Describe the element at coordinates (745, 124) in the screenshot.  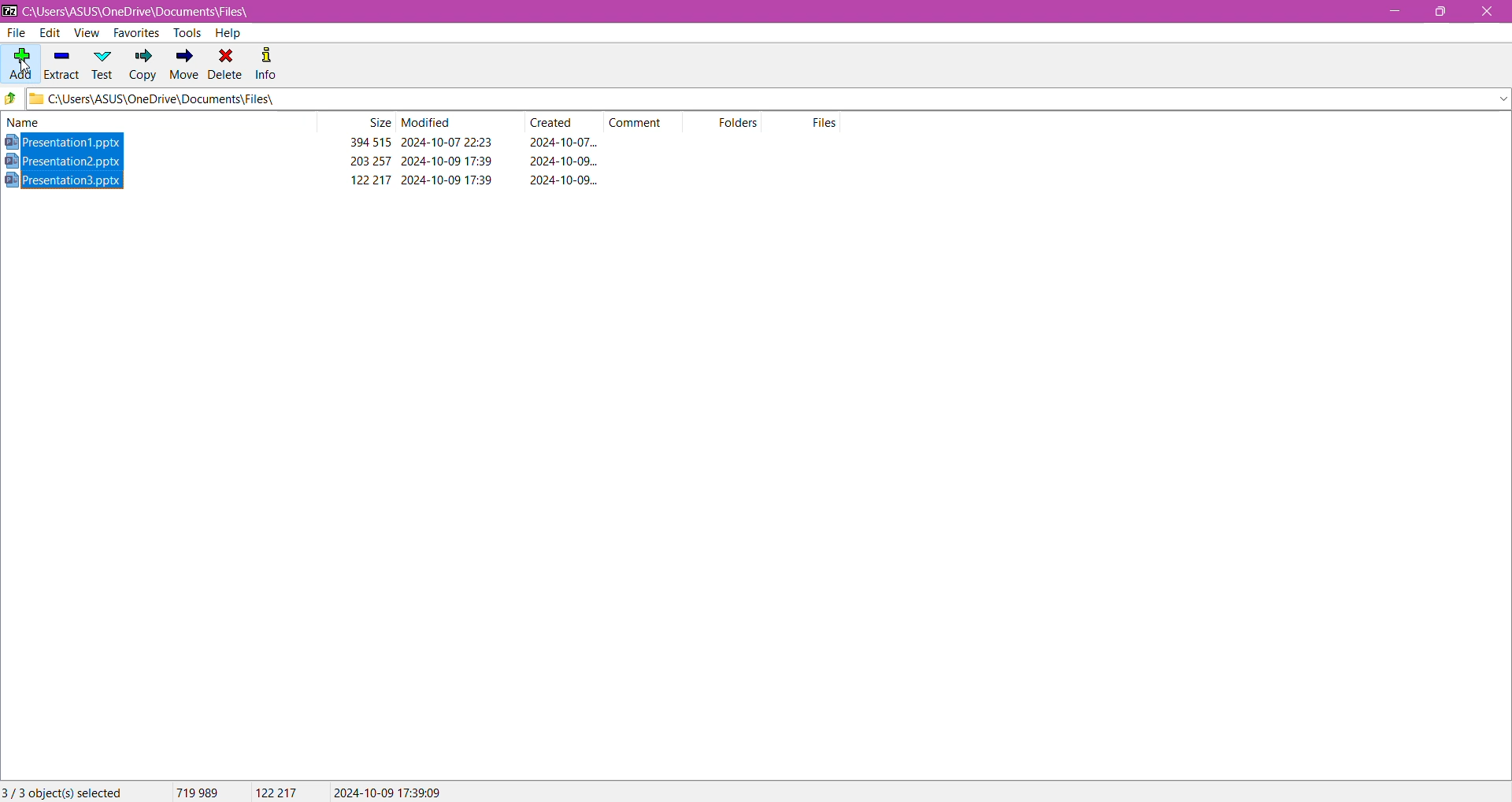
I see `Folders` at that location.